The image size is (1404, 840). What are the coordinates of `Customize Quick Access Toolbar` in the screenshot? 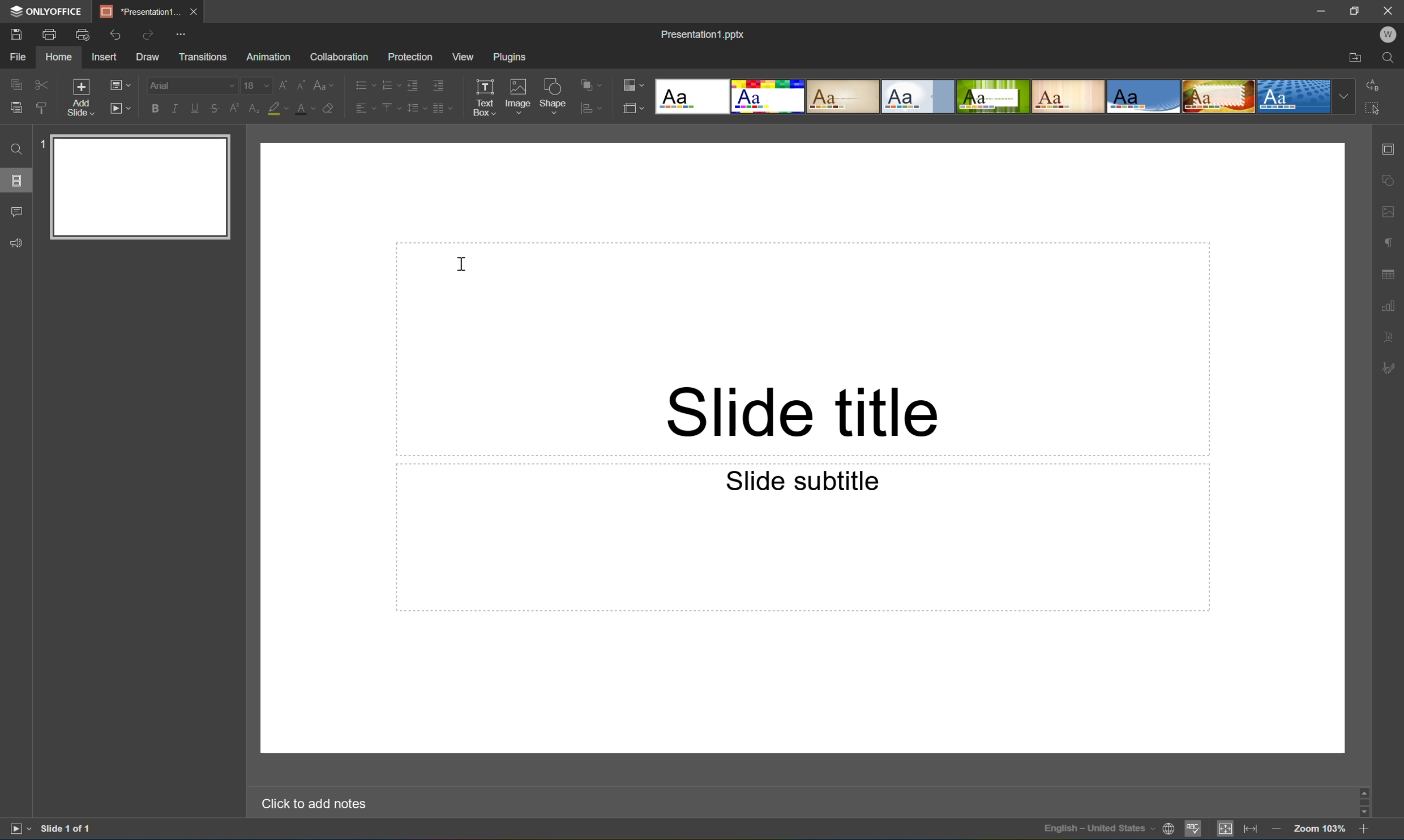 It's located at (181, 35).